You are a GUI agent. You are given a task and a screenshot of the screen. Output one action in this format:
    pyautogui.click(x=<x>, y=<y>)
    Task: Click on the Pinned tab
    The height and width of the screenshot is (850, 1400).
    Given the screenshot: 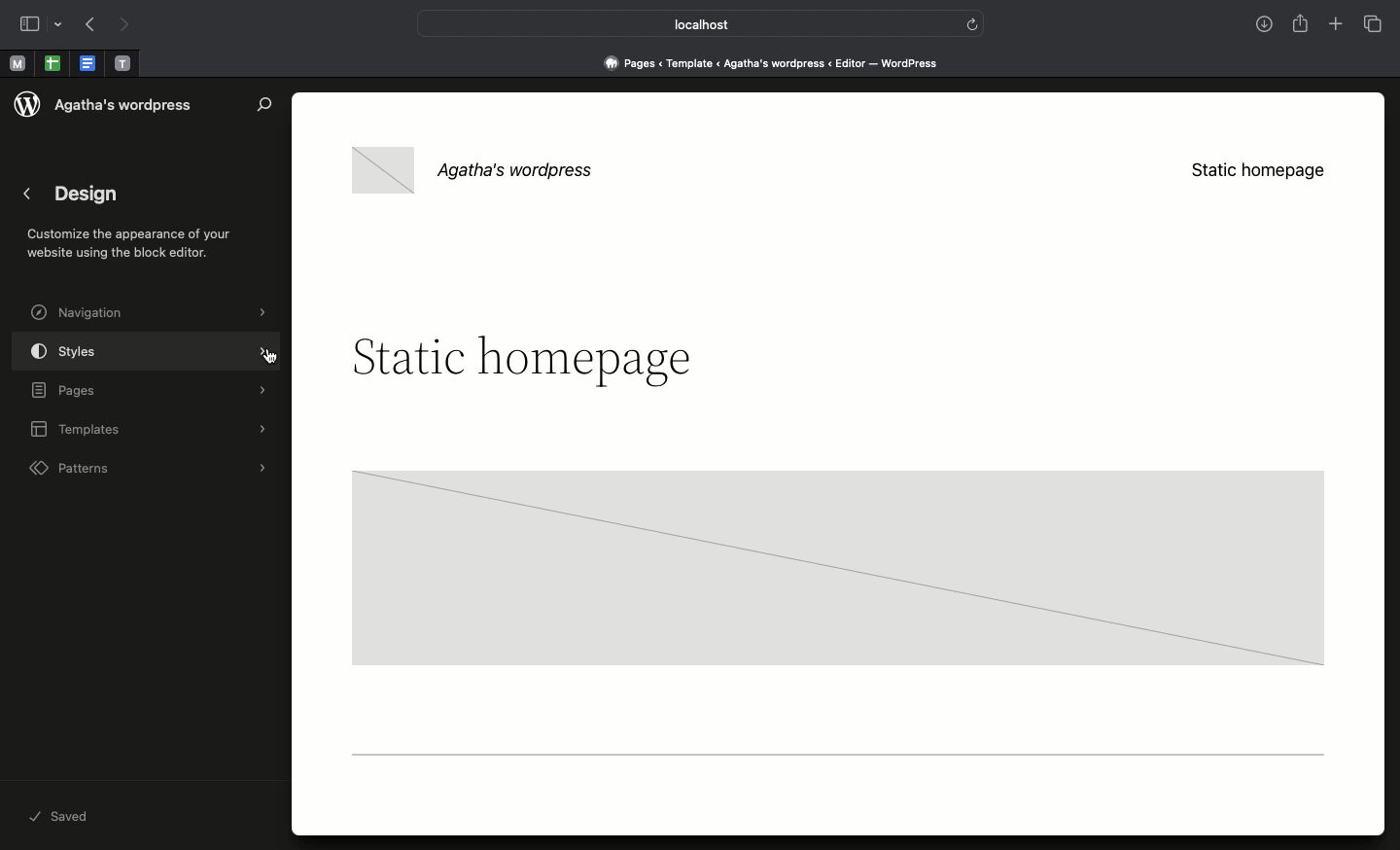 What is the action you would take?
    pyautogui.click(x=89, y=64)
    